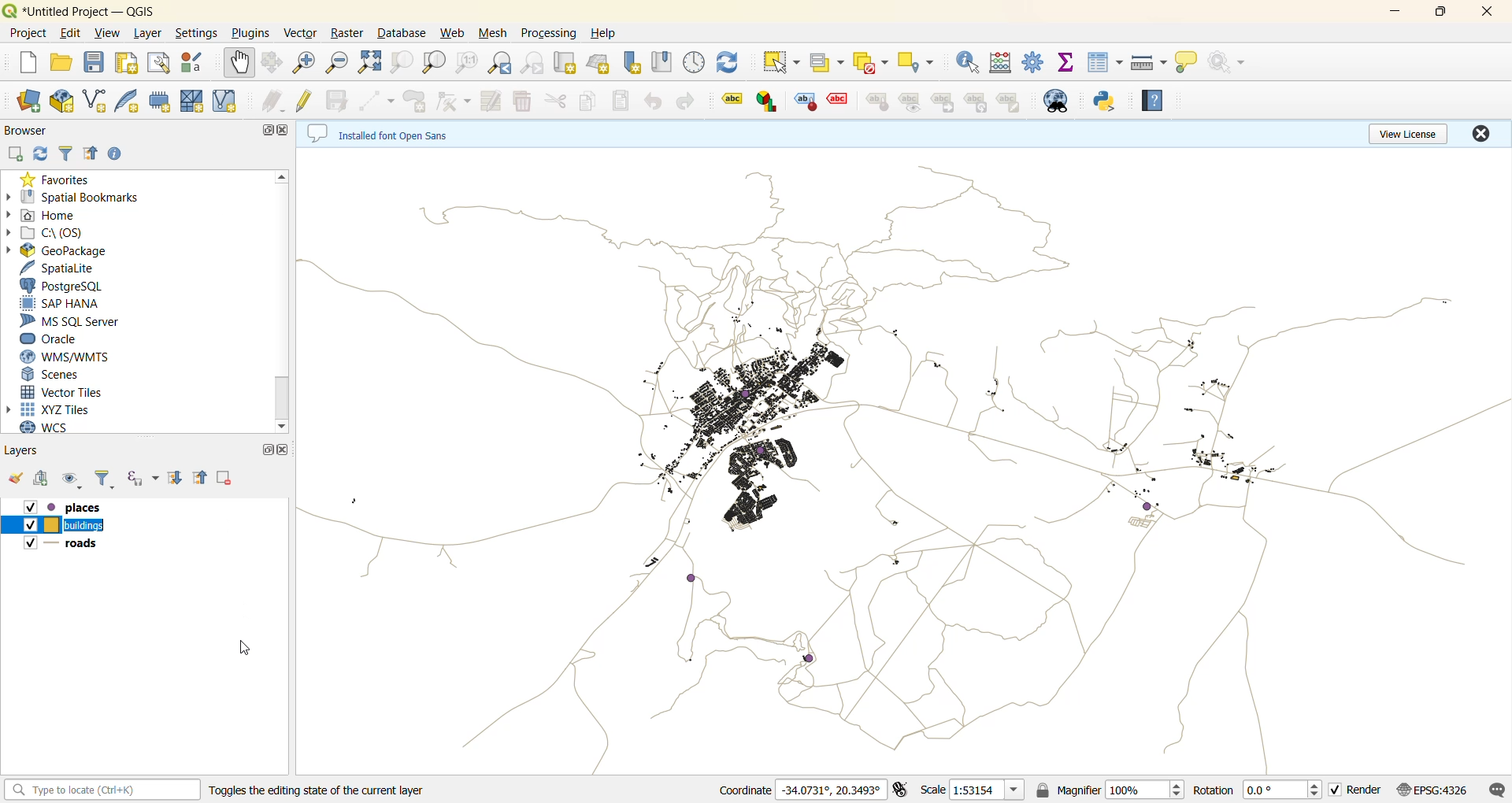 This screenshot has height=803, width=1512. What do you see at coordinates (201, 478) in the screenshot?
I see `collapse all` at bounding box center [201, 478].